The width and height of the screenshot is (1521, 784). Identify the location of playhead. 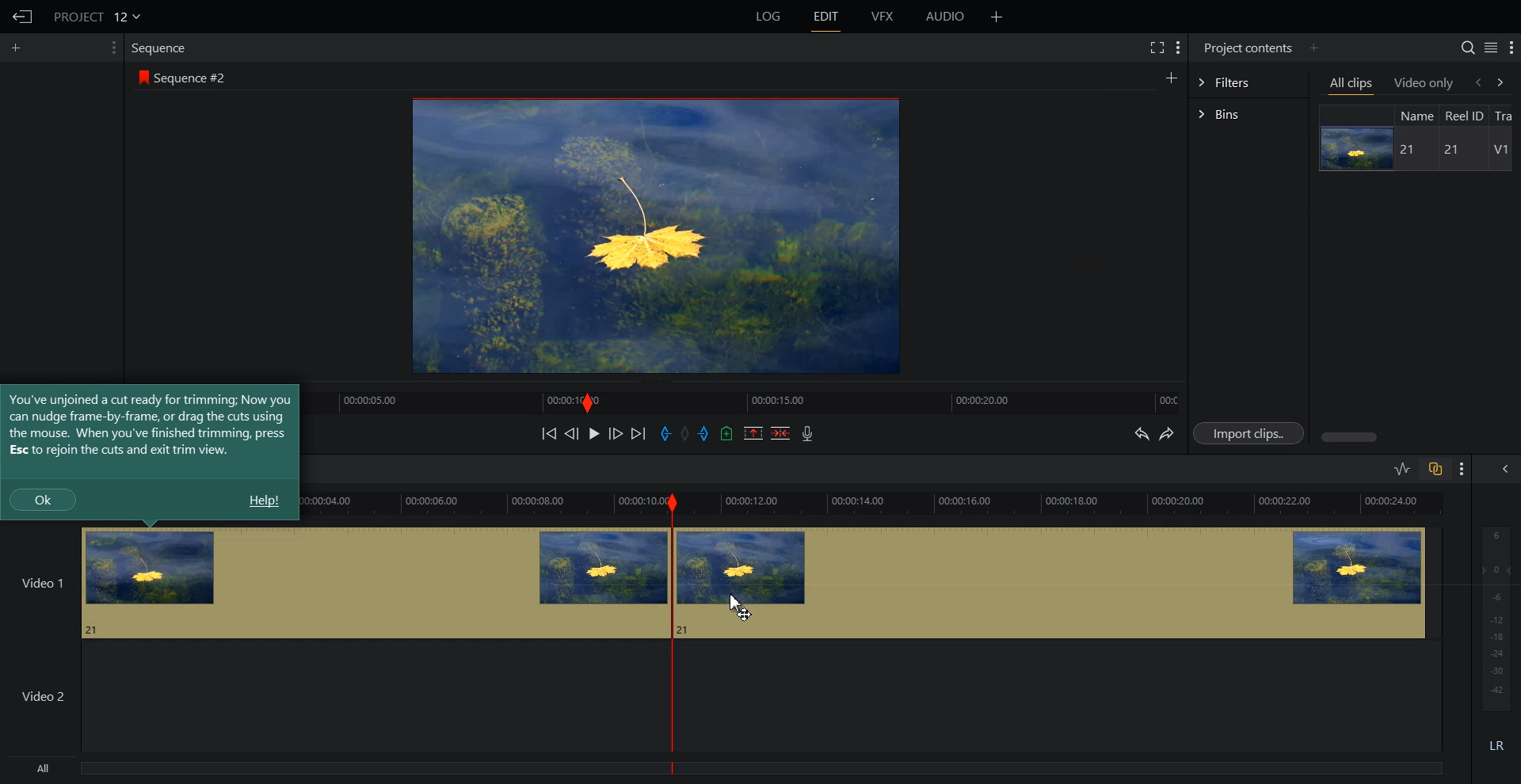
(673, 634).